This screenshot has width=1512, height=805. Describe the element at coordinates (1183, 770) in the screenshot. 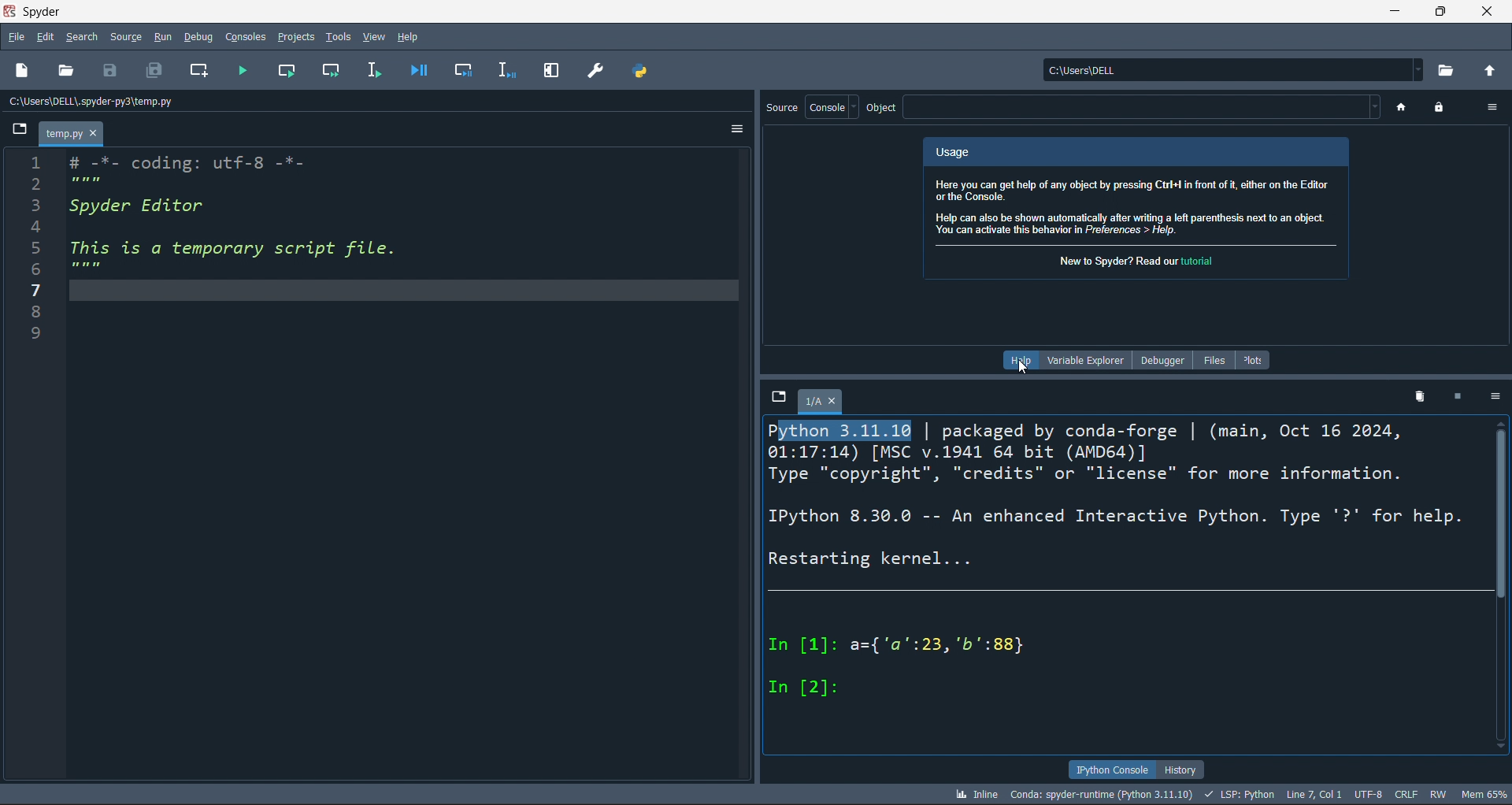

I see `history` at that location.